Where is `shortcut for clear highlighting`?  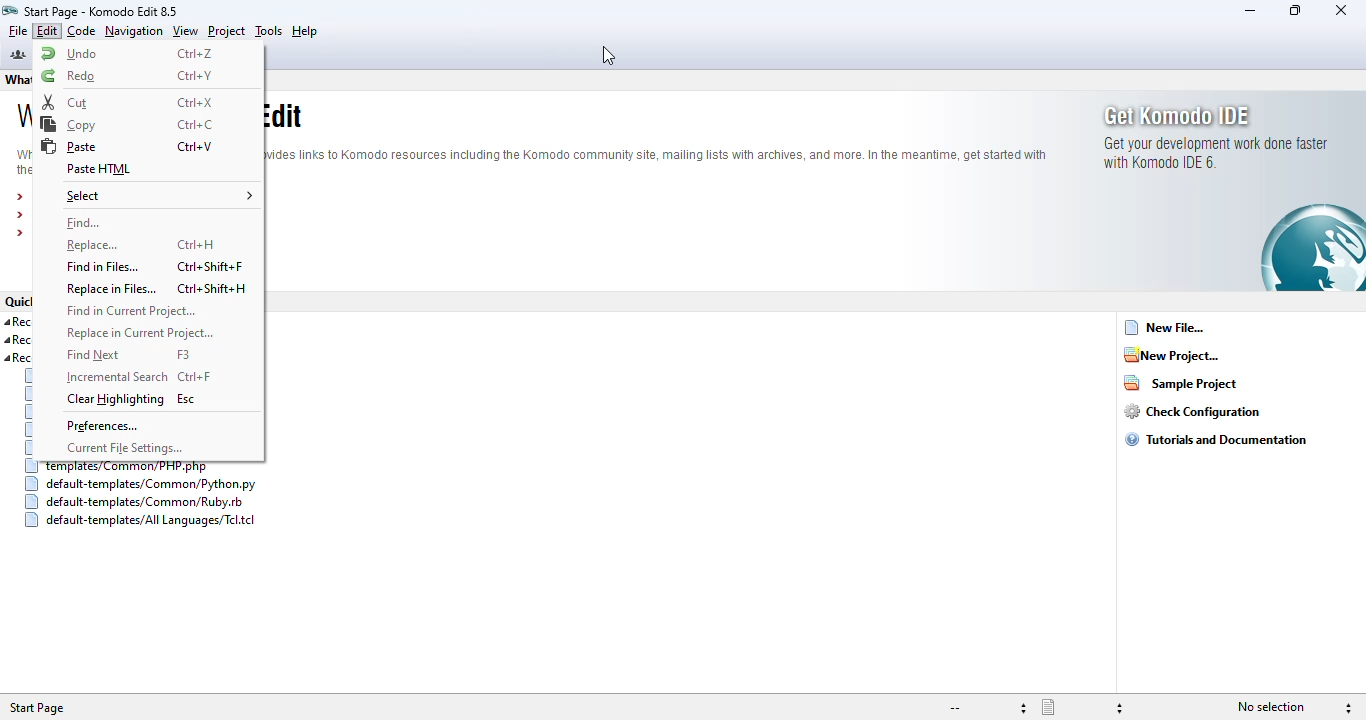 shortcut for clear highlighting is located at coordinates (186, 399).